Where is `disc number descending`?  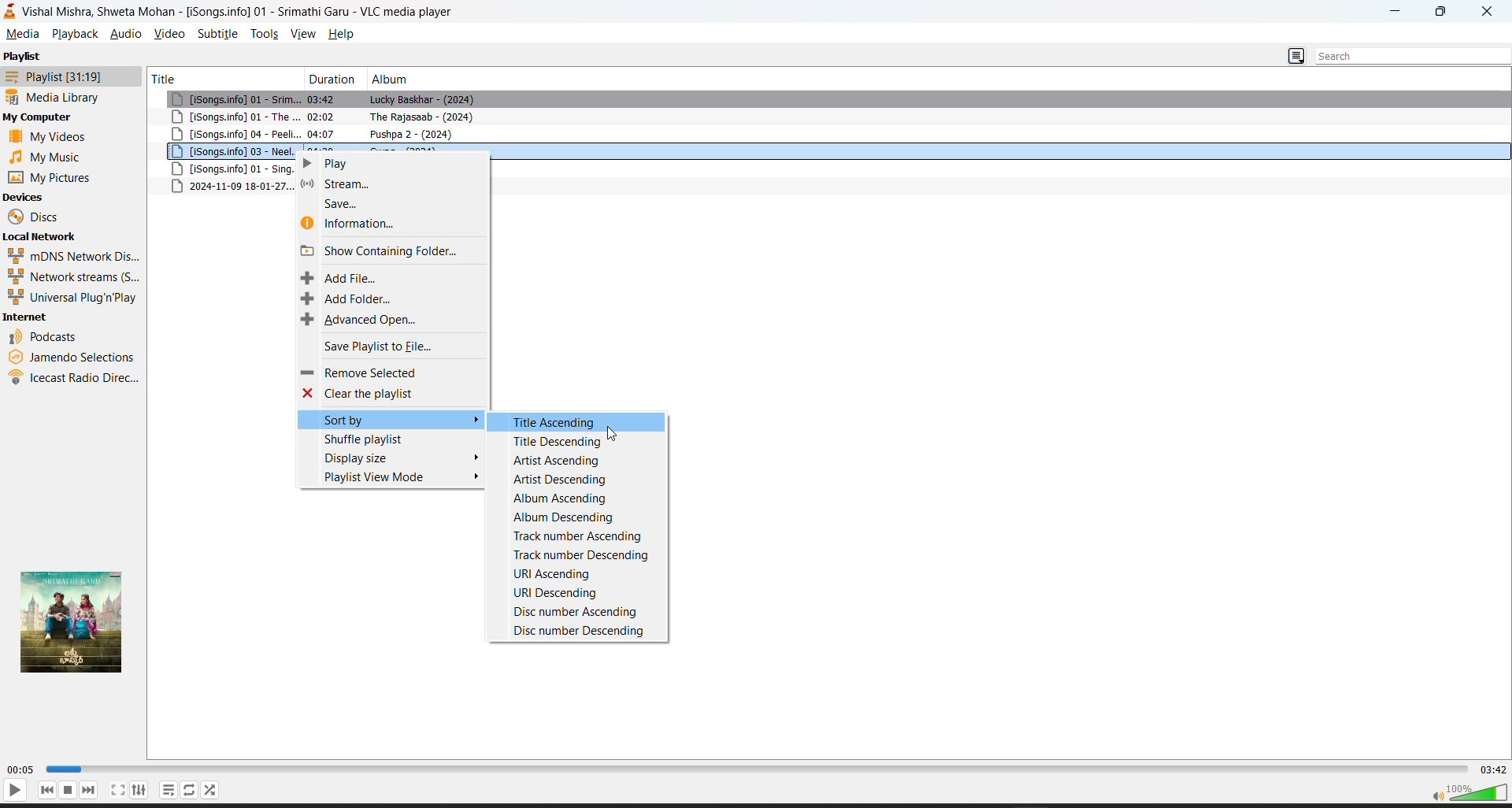
disc number descending is located at coordinates (571, 630).